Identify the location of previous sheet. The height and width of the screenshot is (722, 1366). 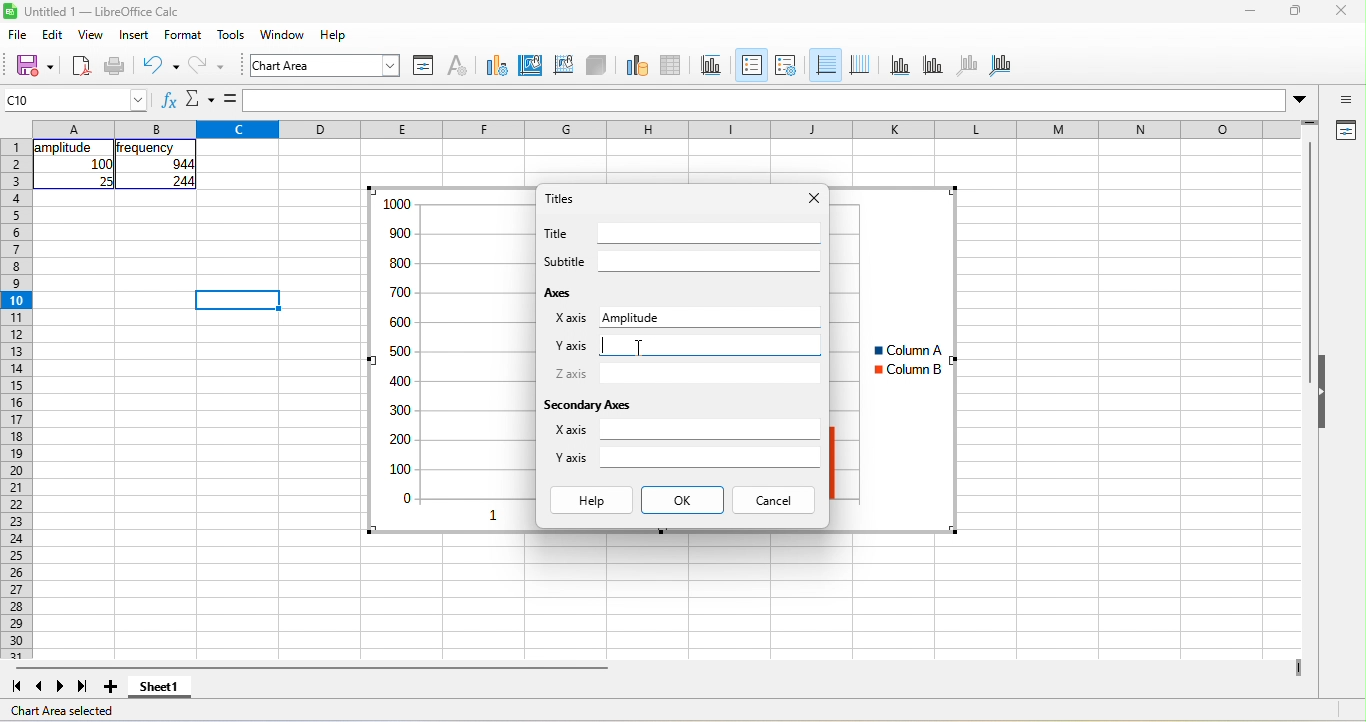
(40, 687).